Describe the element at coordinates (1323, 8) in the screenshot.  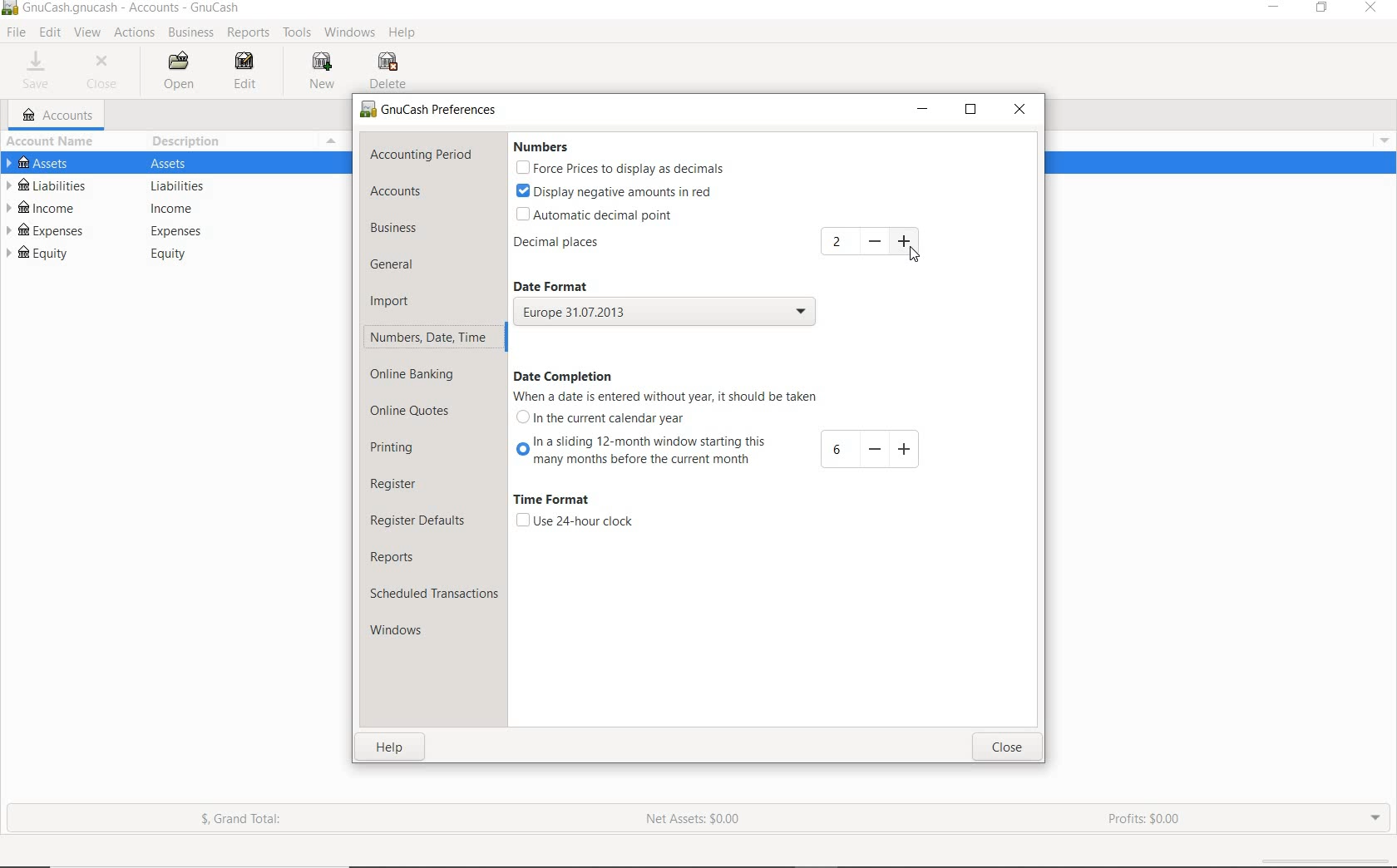
I see `RESTORE DOWN` at that location.